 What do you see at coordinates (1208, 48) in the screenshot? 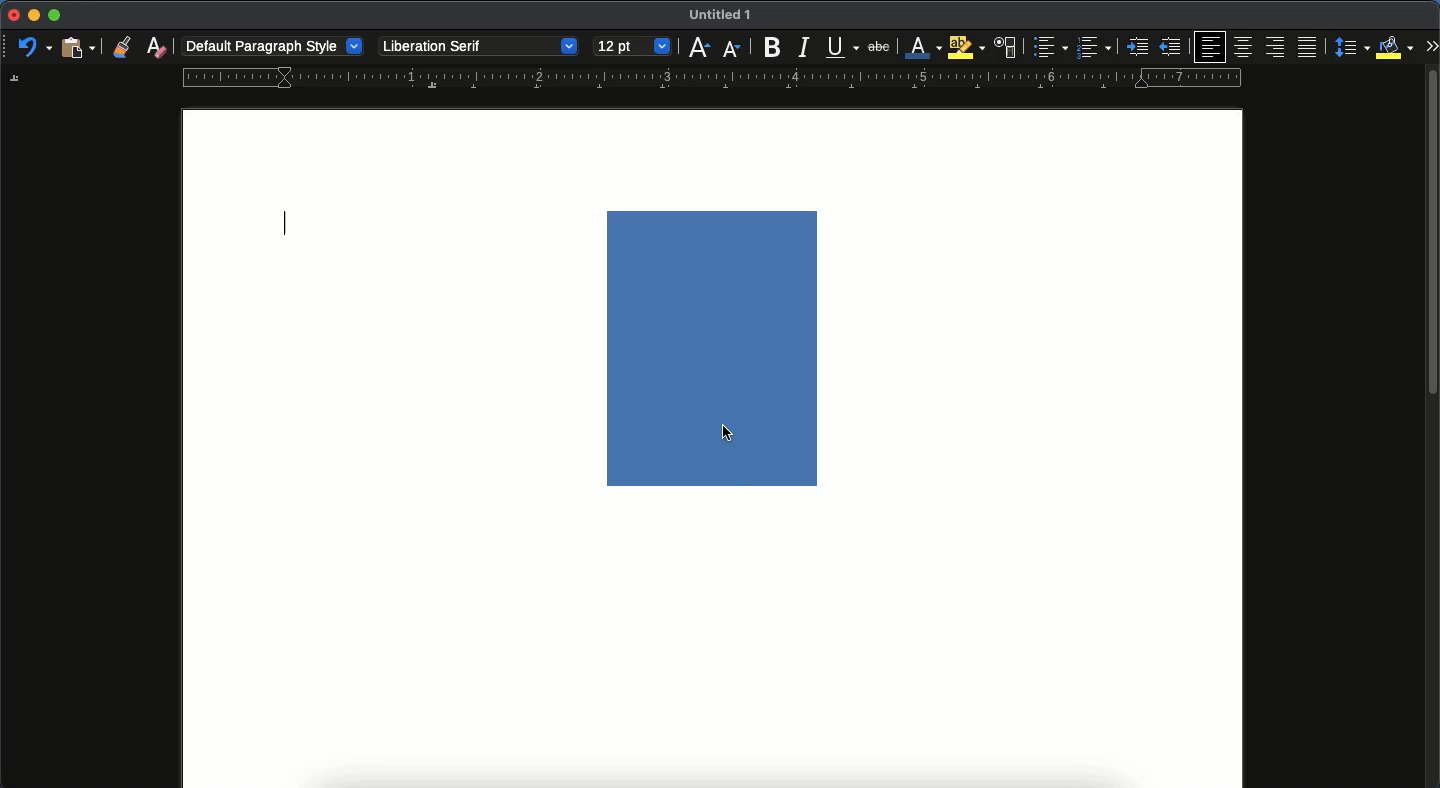
I see `left align` at bounding box center [1208, 48].